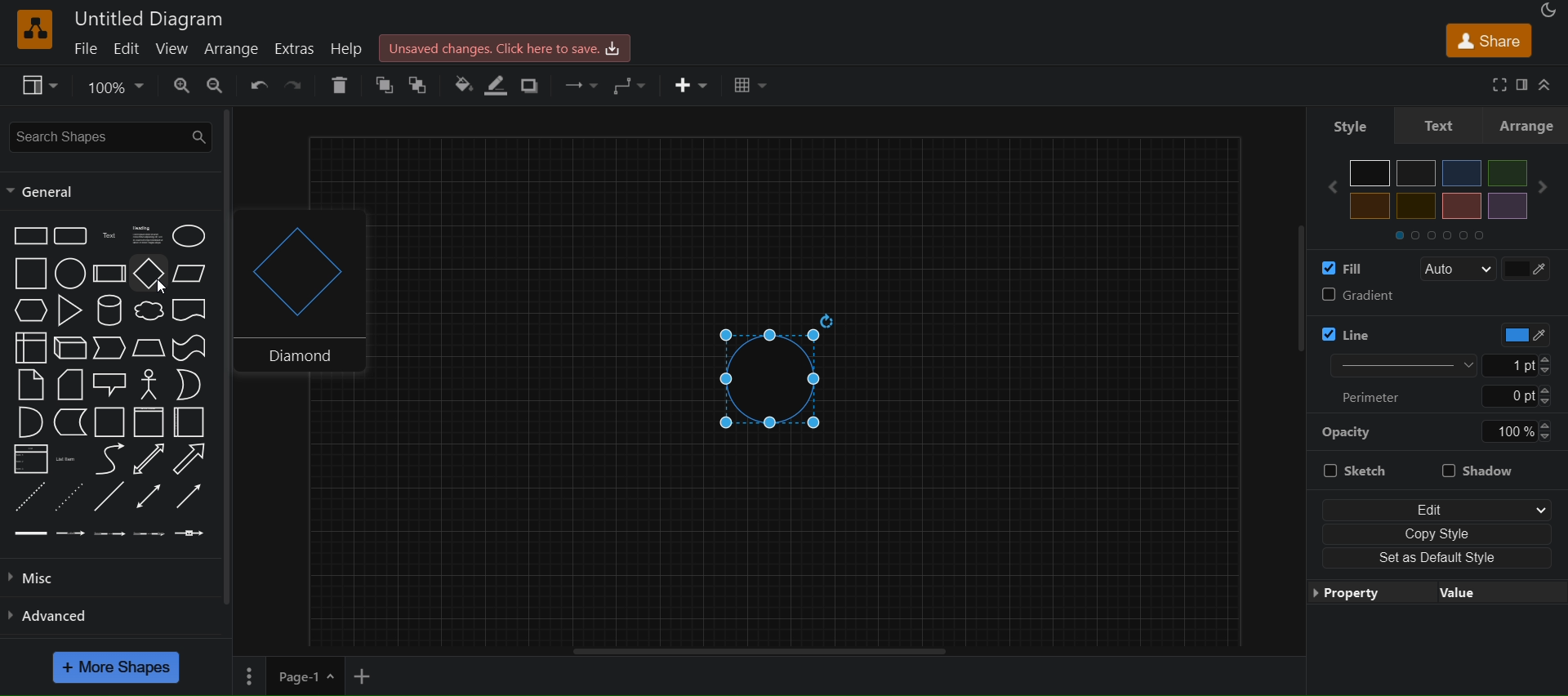 The image size is (1568, 696). I want to click on black color, so click(1370, 173).